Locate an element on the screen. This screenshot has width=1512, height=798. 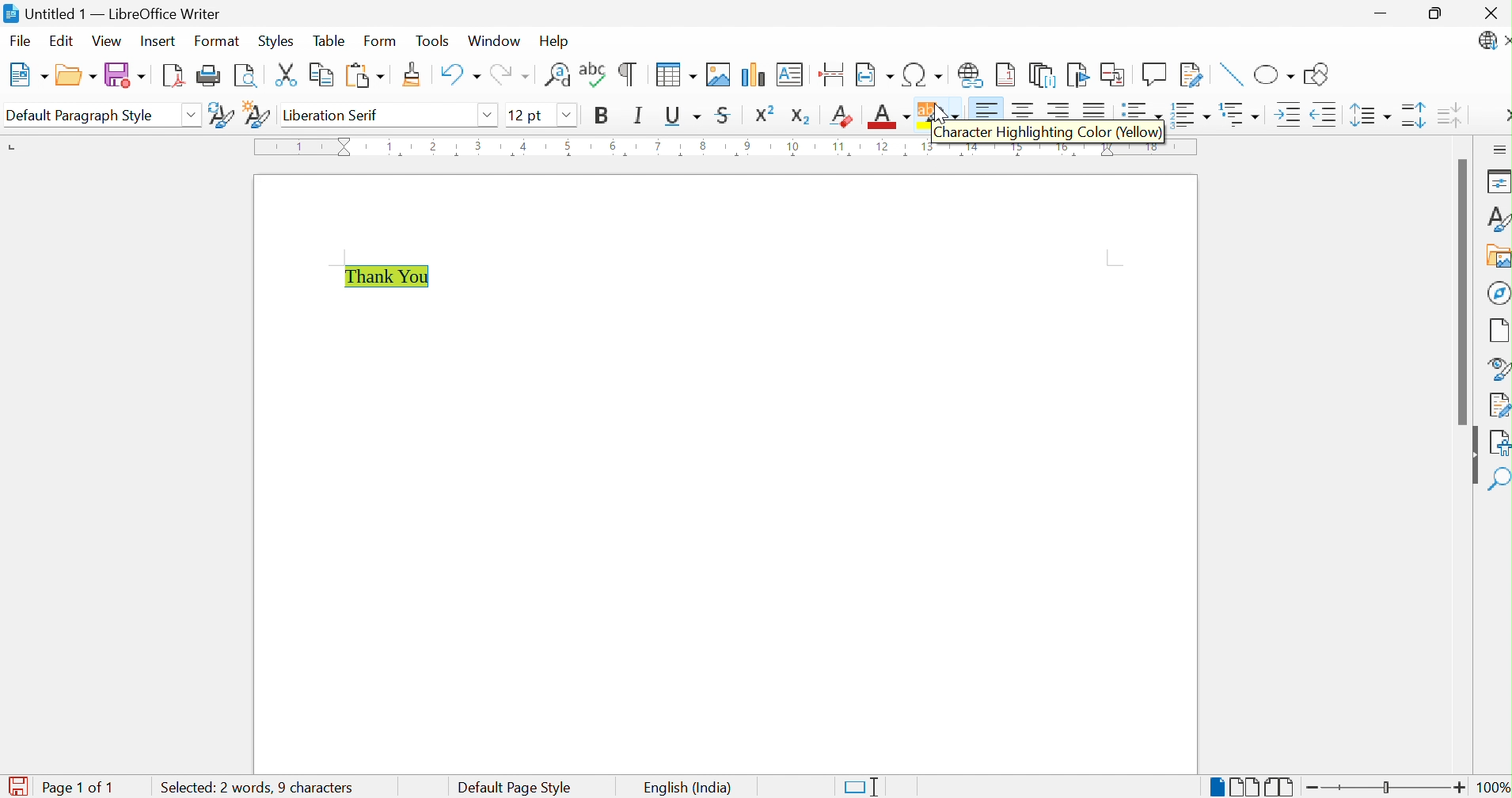
Minimize is located at coordinates (1382, 13).